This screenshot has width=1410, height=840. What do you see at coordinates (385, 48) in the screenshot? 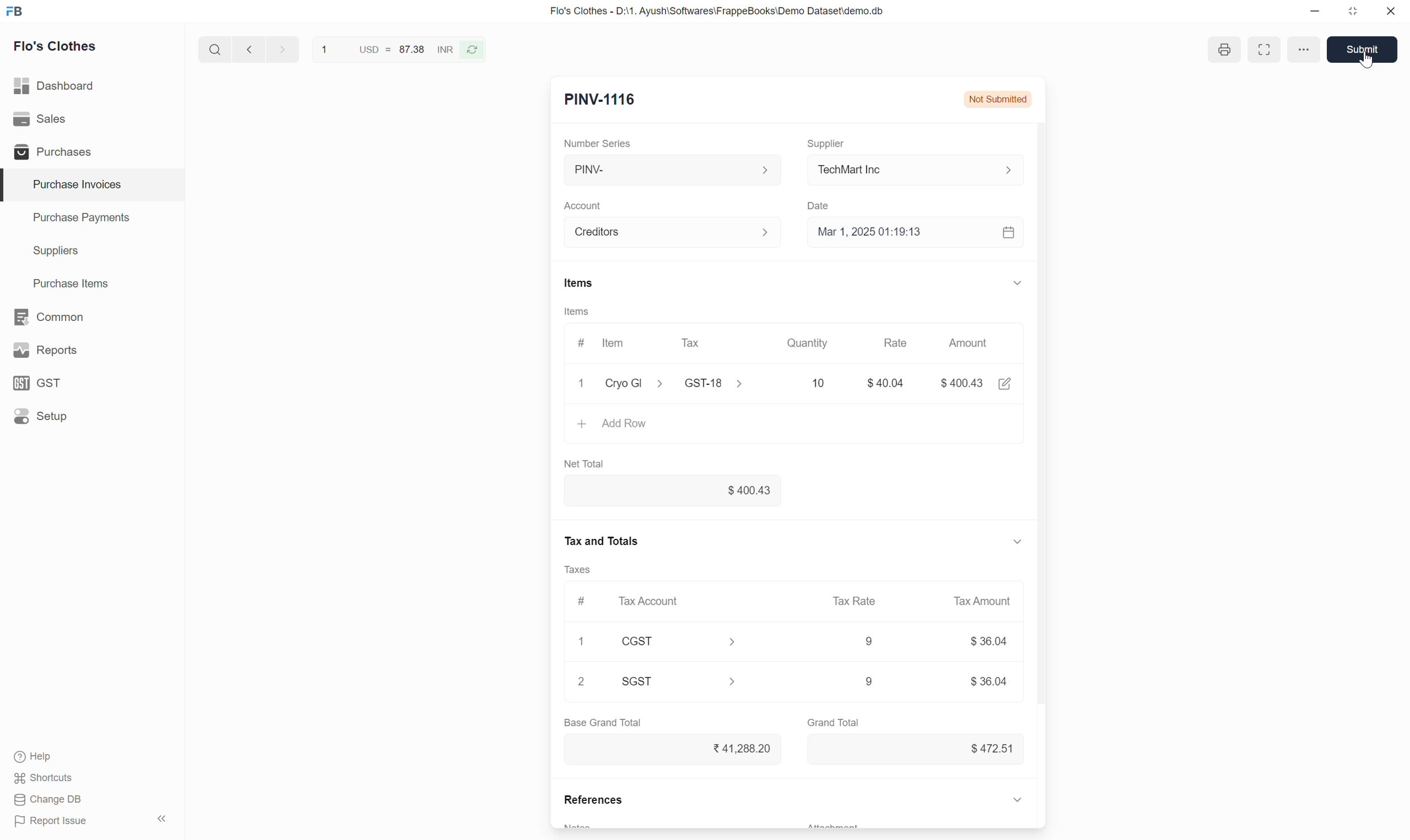
I see `1 USD = 87.38 INR` at bounding box center [385, 48].